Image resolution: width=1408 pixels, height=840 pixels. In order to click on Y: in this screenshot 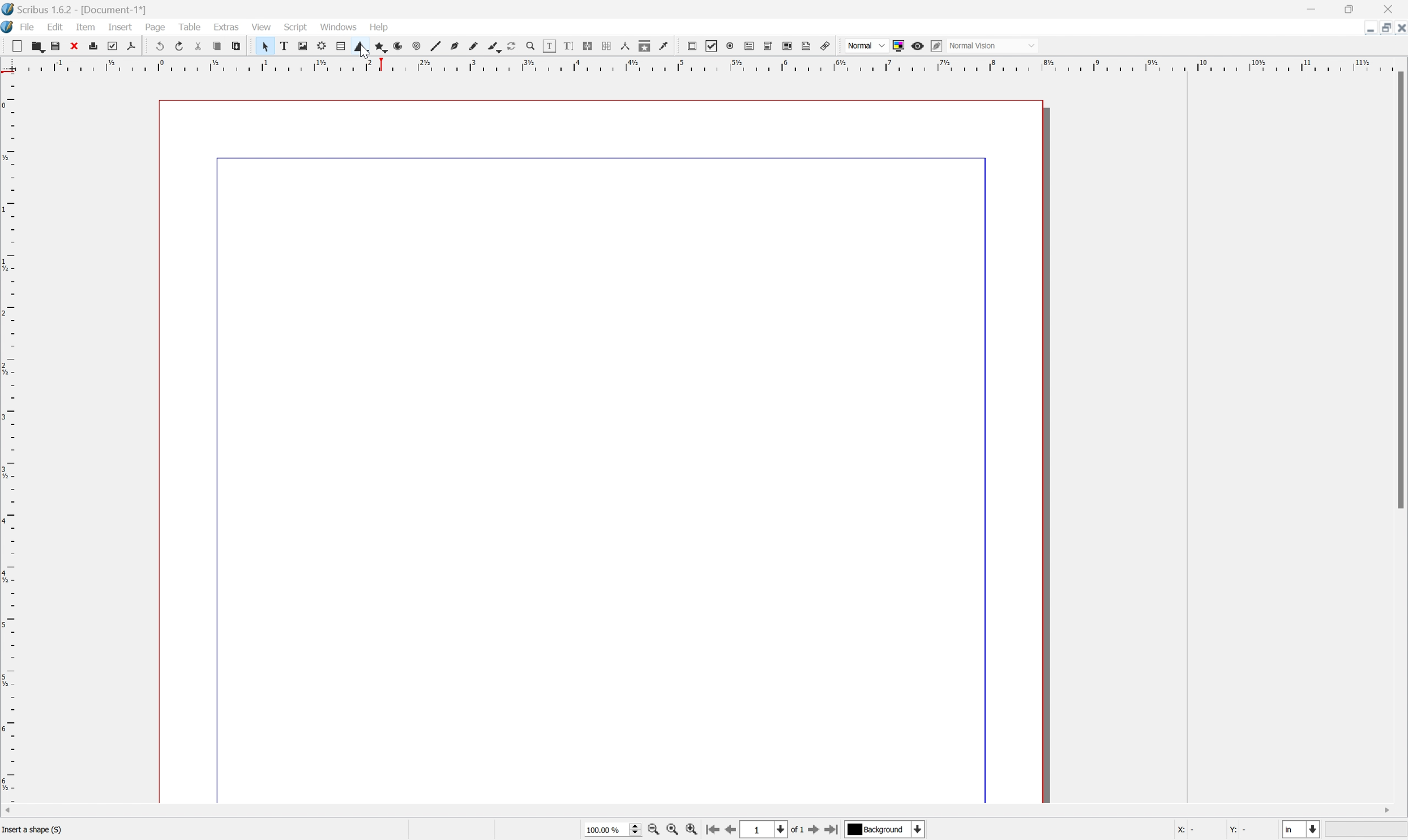, I will do `click(1236, 828)`.